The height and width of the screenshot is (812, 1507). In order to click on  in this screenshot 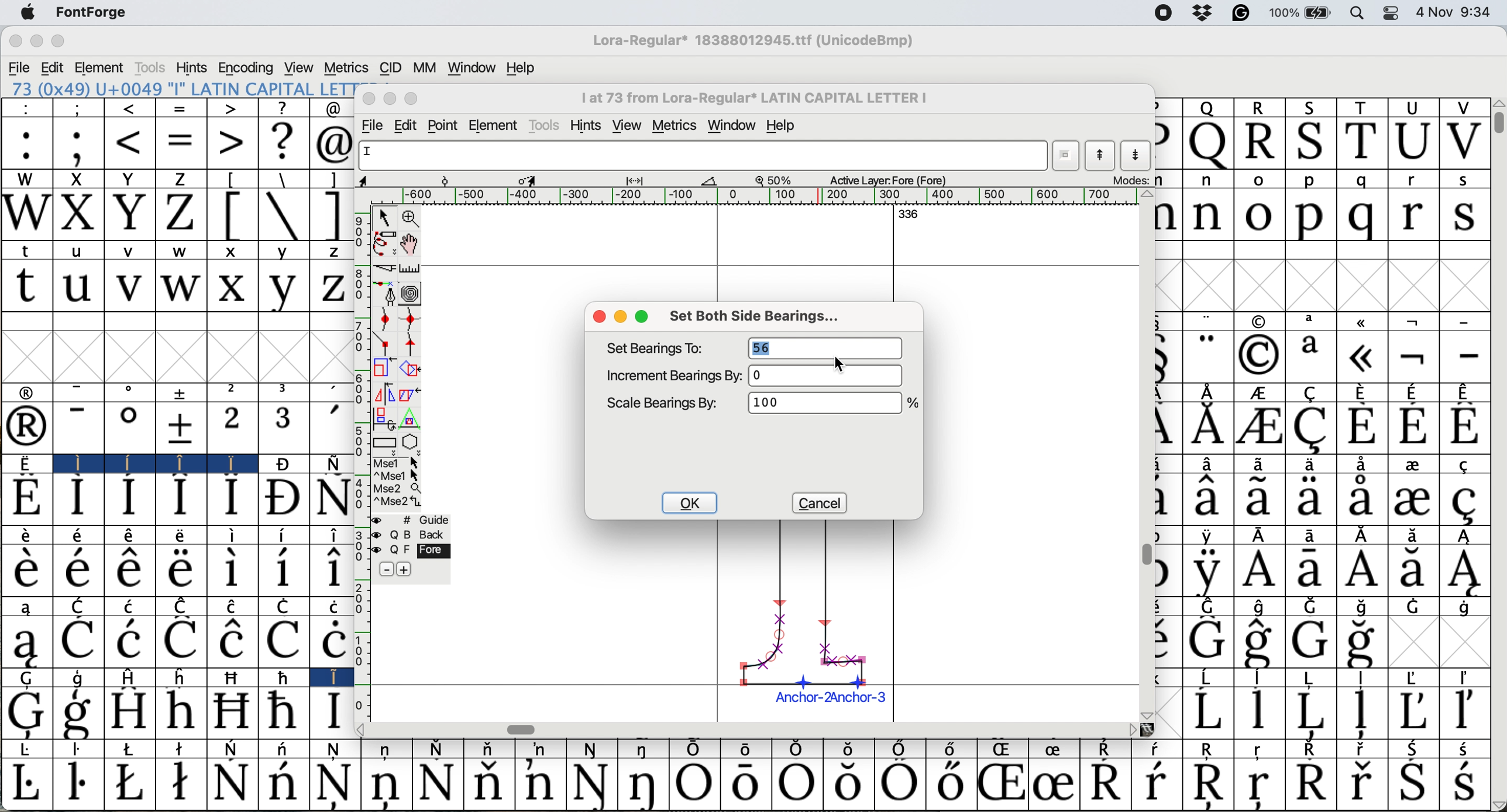, I will do `click(389, 179)`.